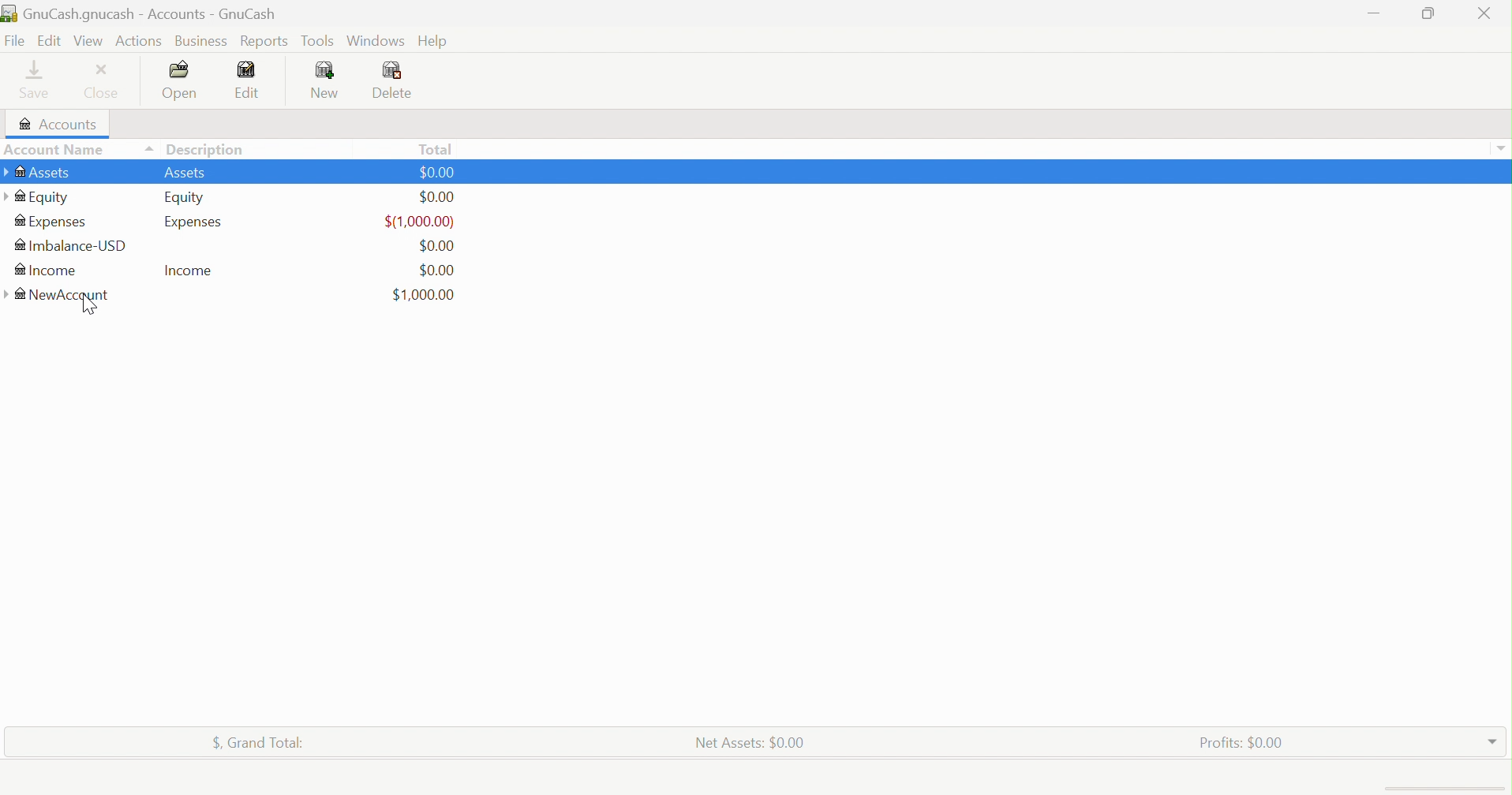 This screenshot has height=795, width=1512. What do you see at coordinates (87, 306) in the screenshot?
I see `Cursor` at bounding box center [87, 306].